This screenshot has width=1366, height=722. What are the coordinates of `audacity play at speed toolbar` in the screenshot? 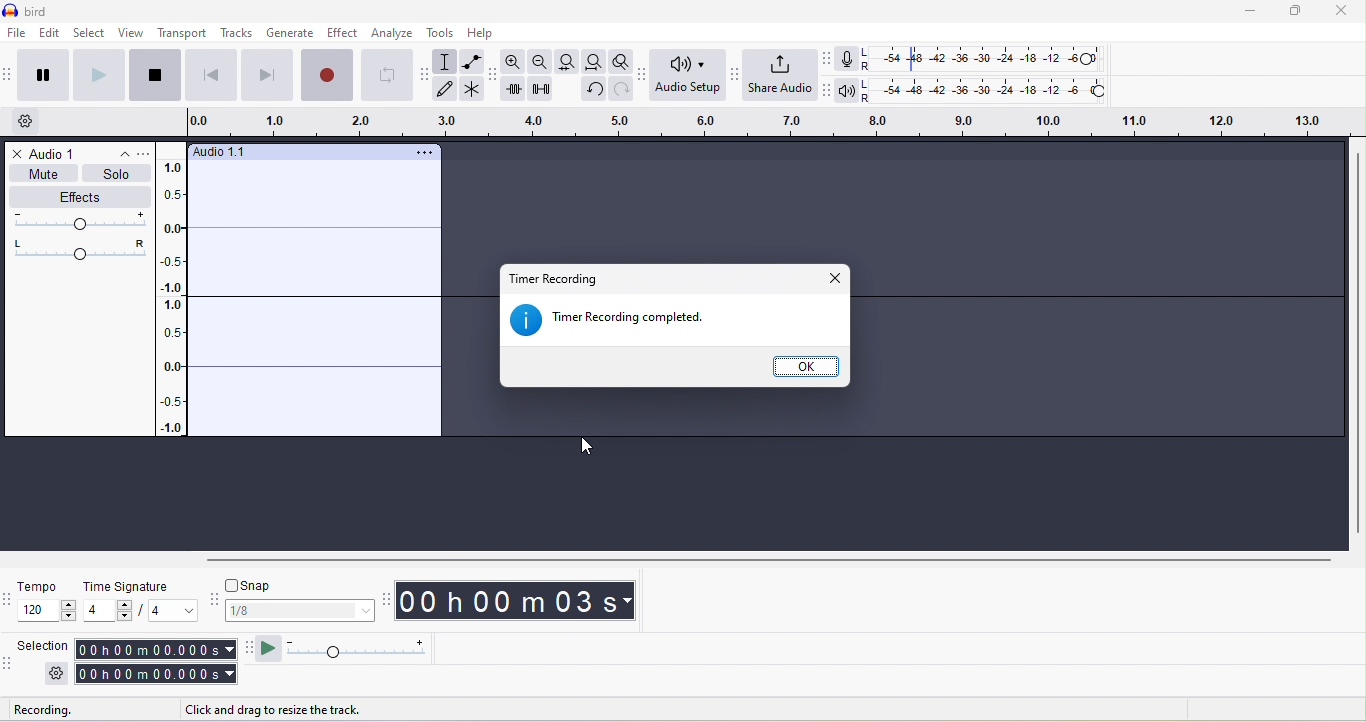 It's located at (268, 648).